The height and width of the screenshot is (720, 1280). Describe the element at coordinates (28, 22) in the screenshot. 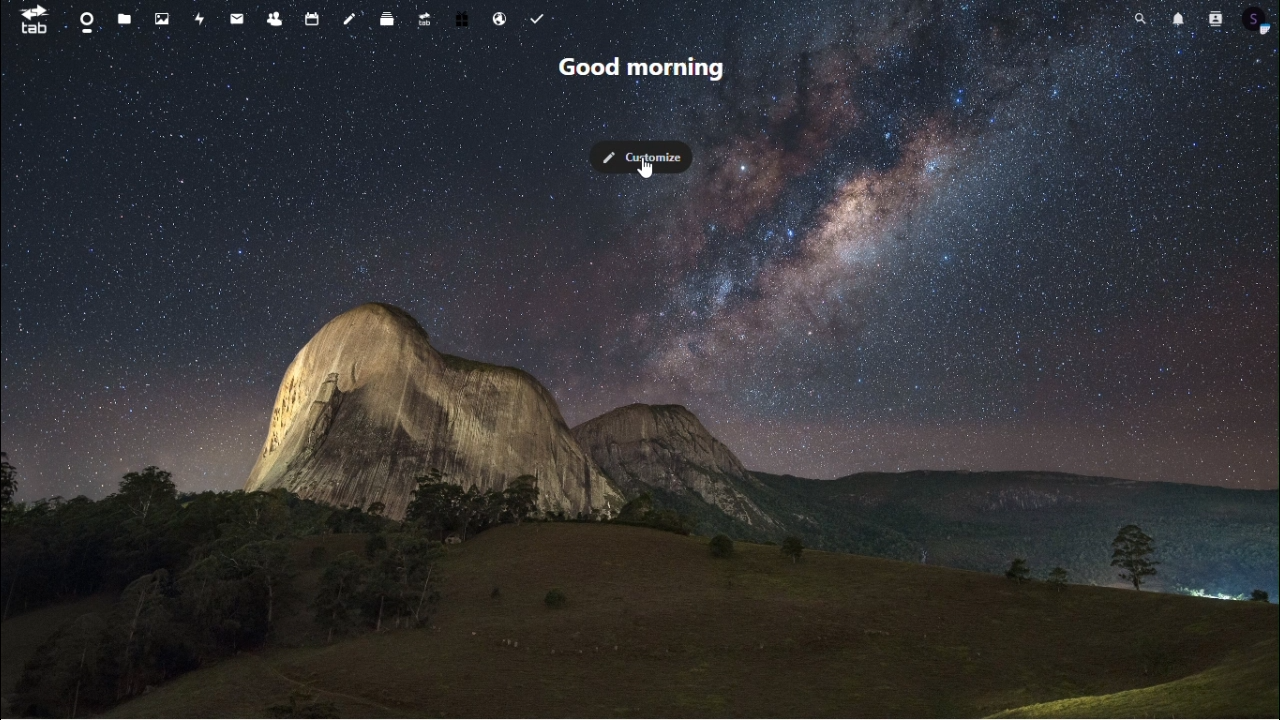

I see `tab` at that location.